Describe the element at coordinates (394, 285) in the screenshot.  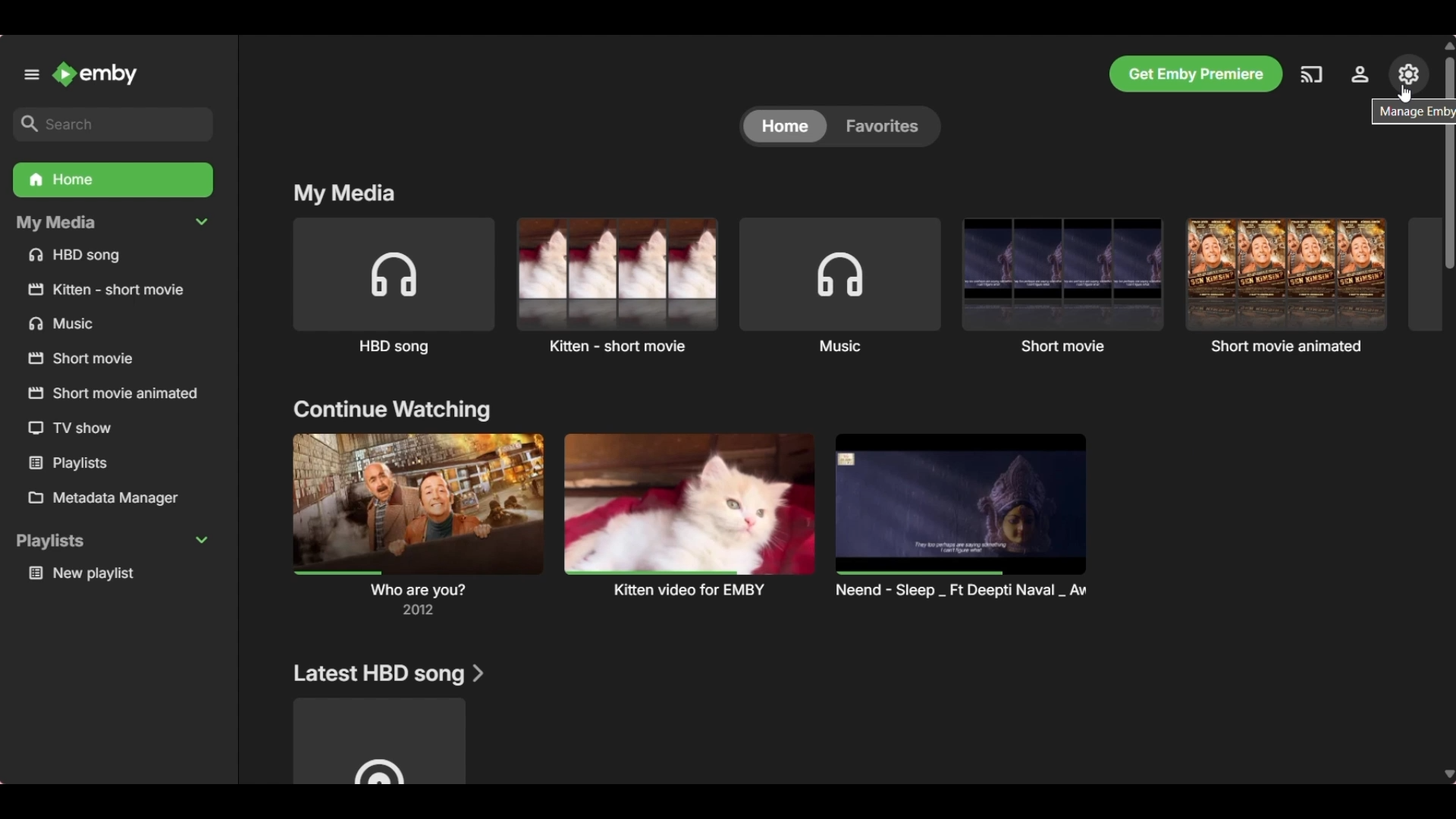
I see `HBD song` at that location.